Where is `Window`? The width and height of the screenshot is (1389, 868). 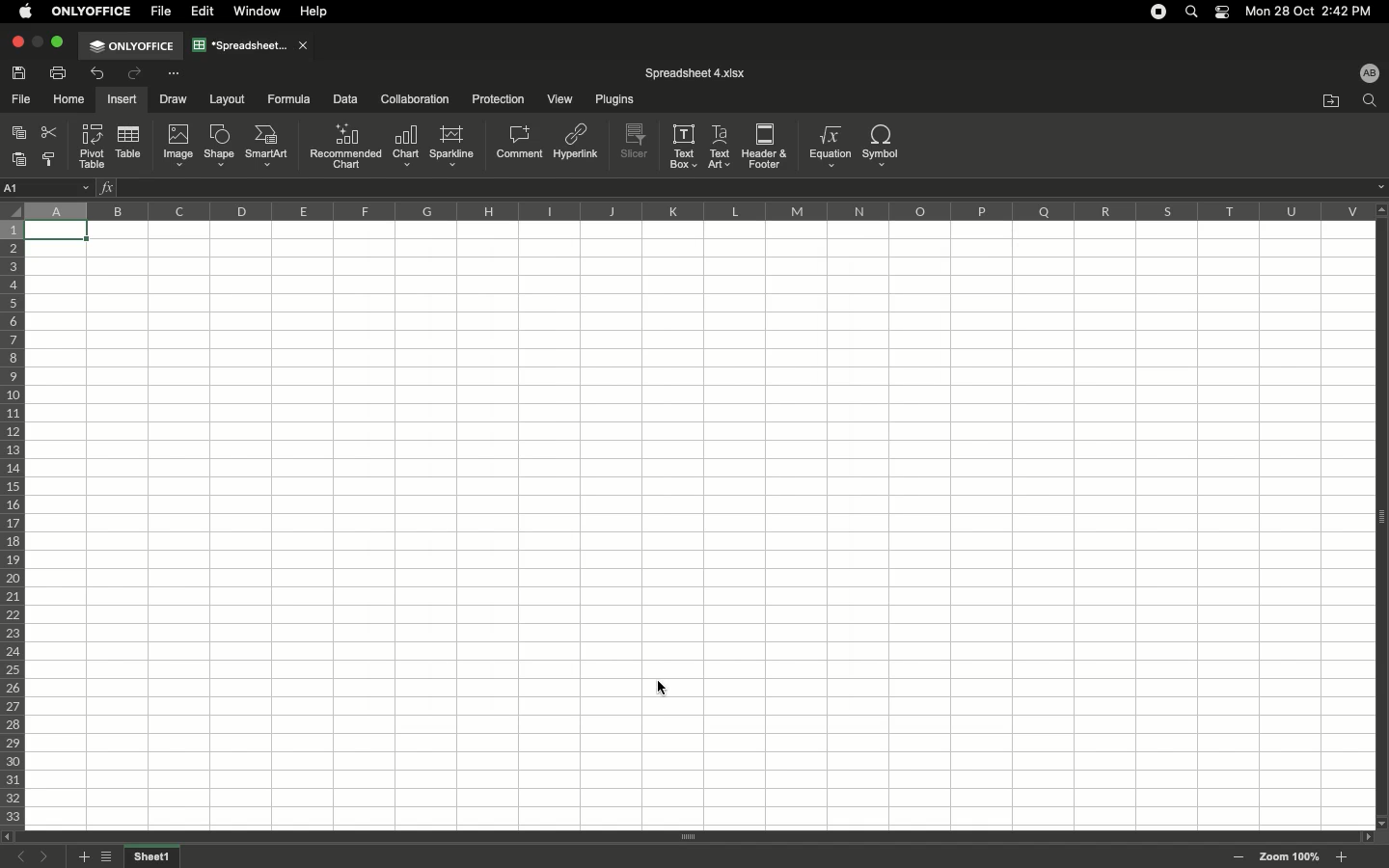 Window is located at coordinates (260, 12).